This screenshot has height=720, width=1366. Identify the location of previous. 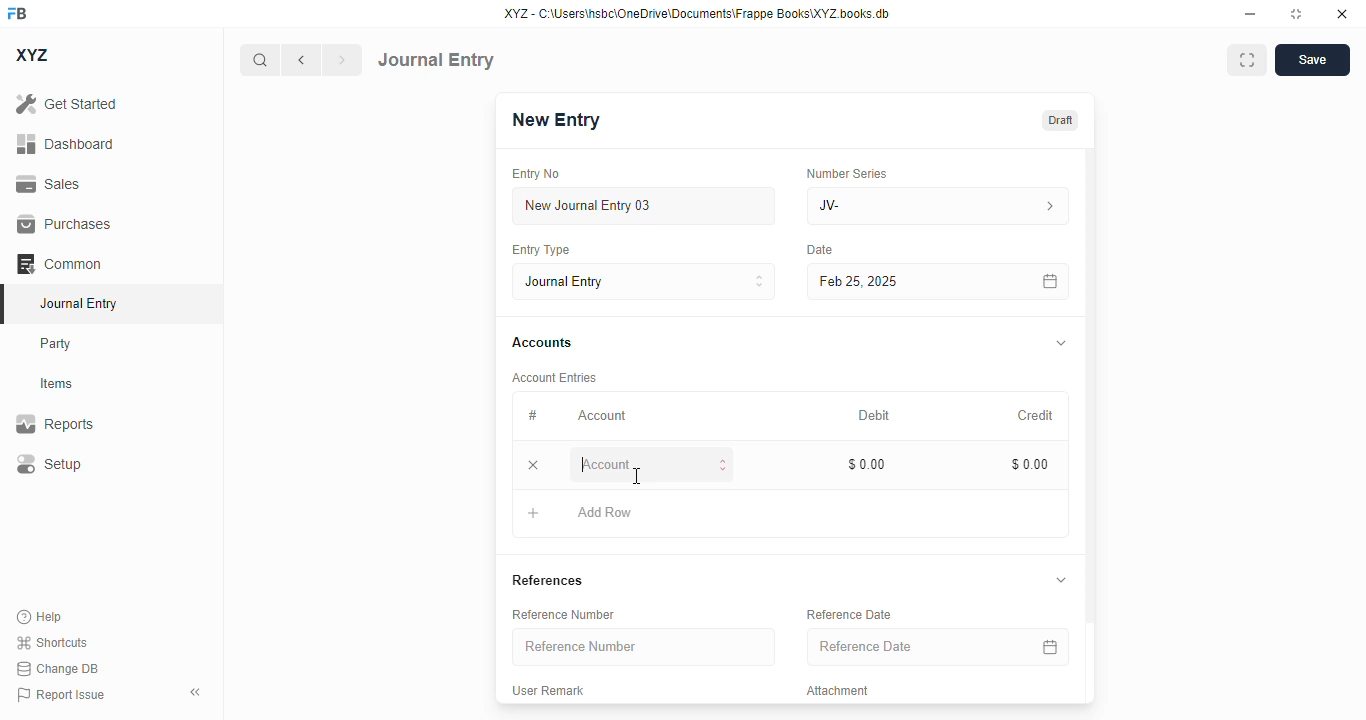
(301, 60).